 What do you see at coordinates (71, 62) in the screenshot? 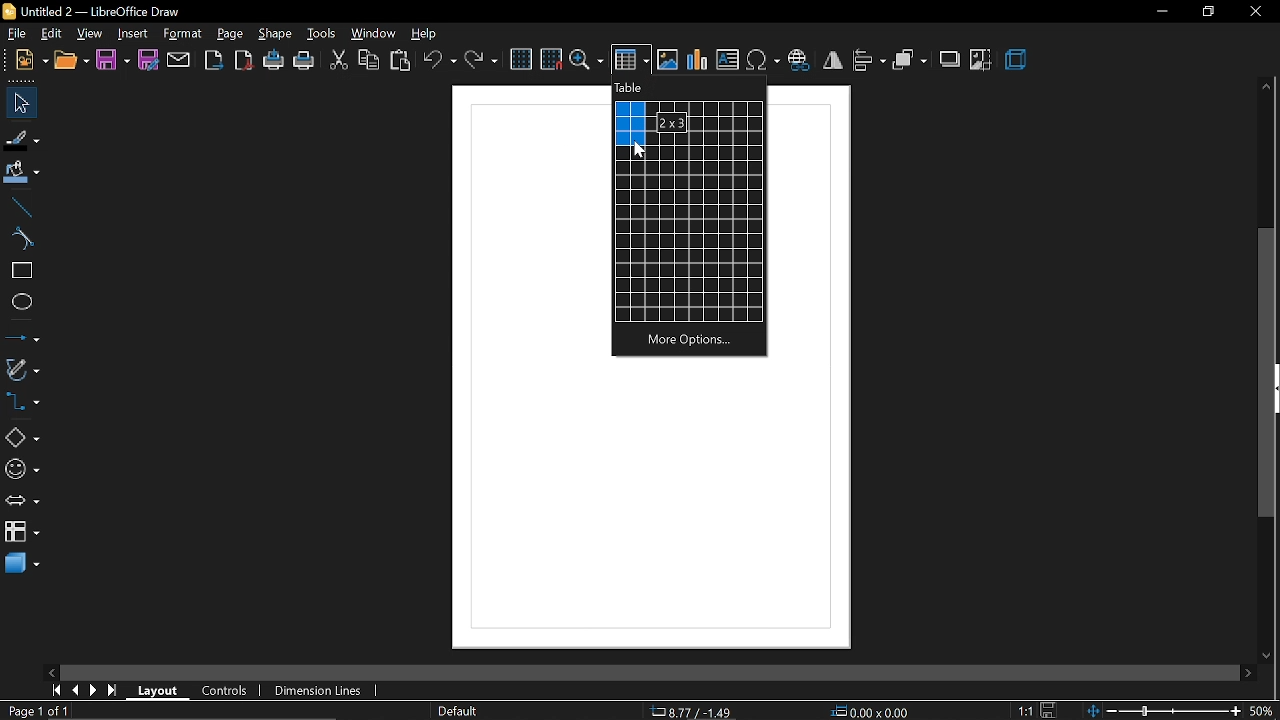
I see `open` at bounding box center [71, 62].